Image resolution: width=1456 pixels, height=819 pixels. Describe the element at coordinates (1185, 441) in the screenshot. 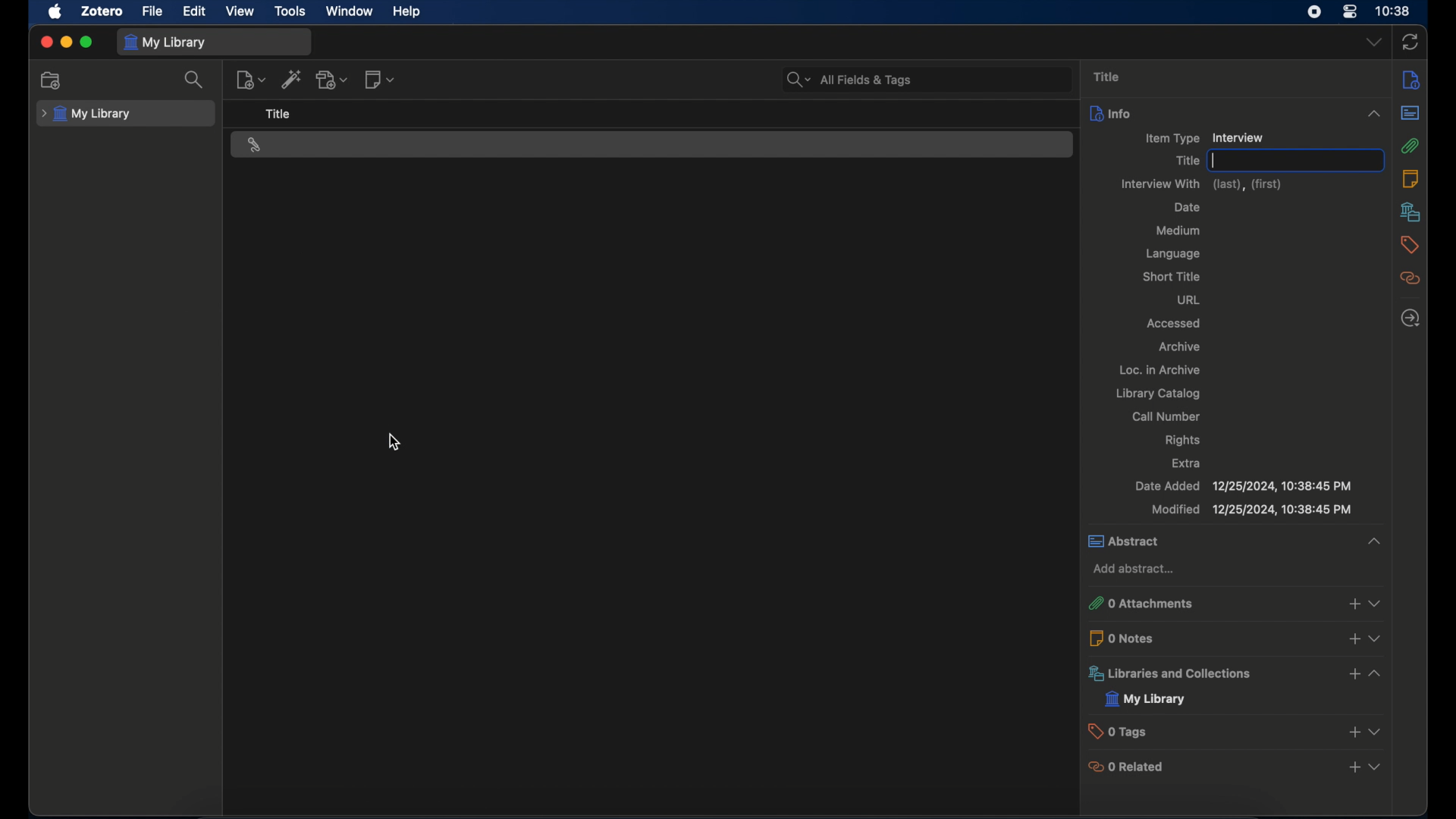

I see `rights` at that location.